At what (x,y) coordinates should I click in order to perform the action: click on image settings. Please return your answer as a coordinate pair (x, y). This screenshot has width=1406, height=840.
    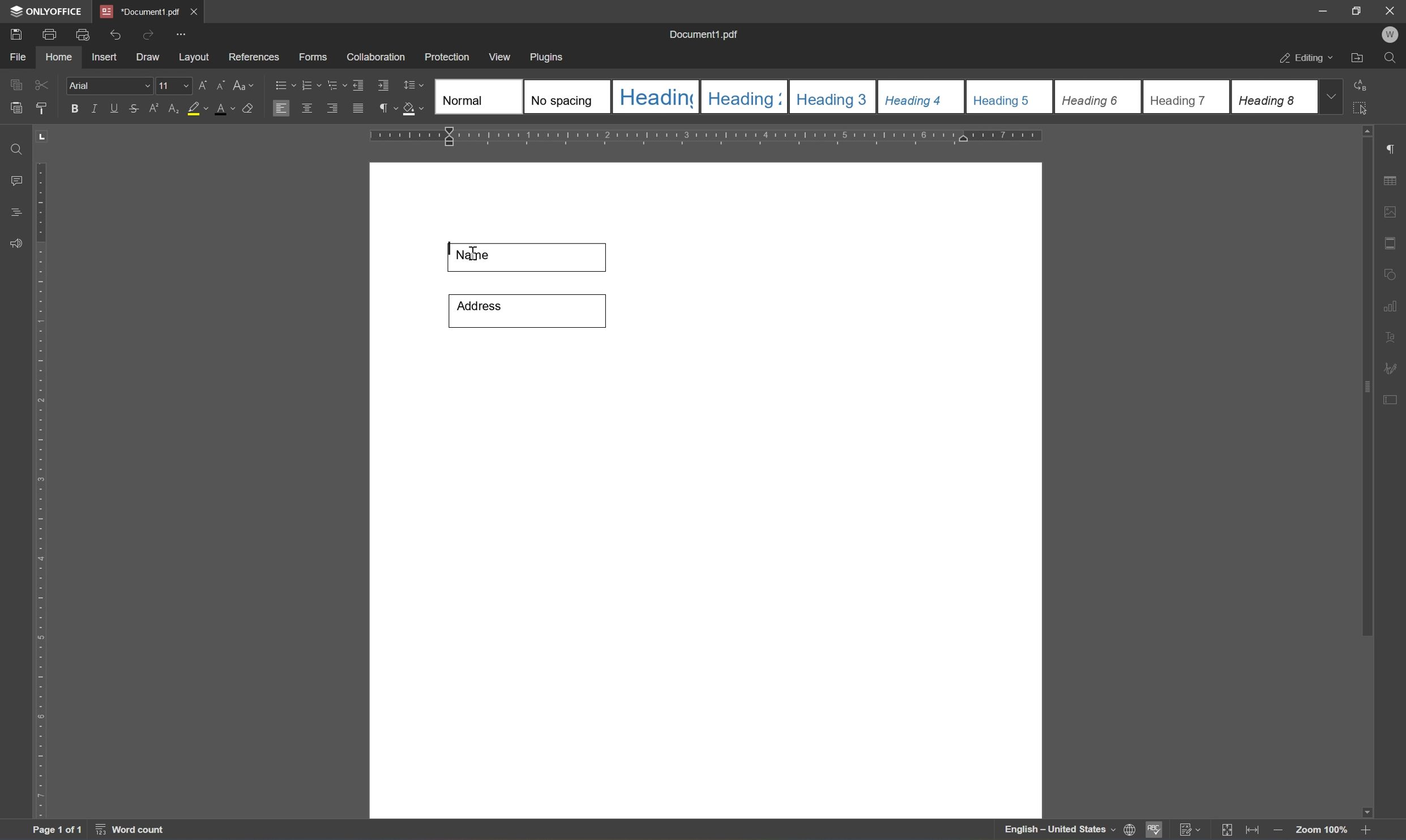
    Looking at the image, I should click on (1391, 211).